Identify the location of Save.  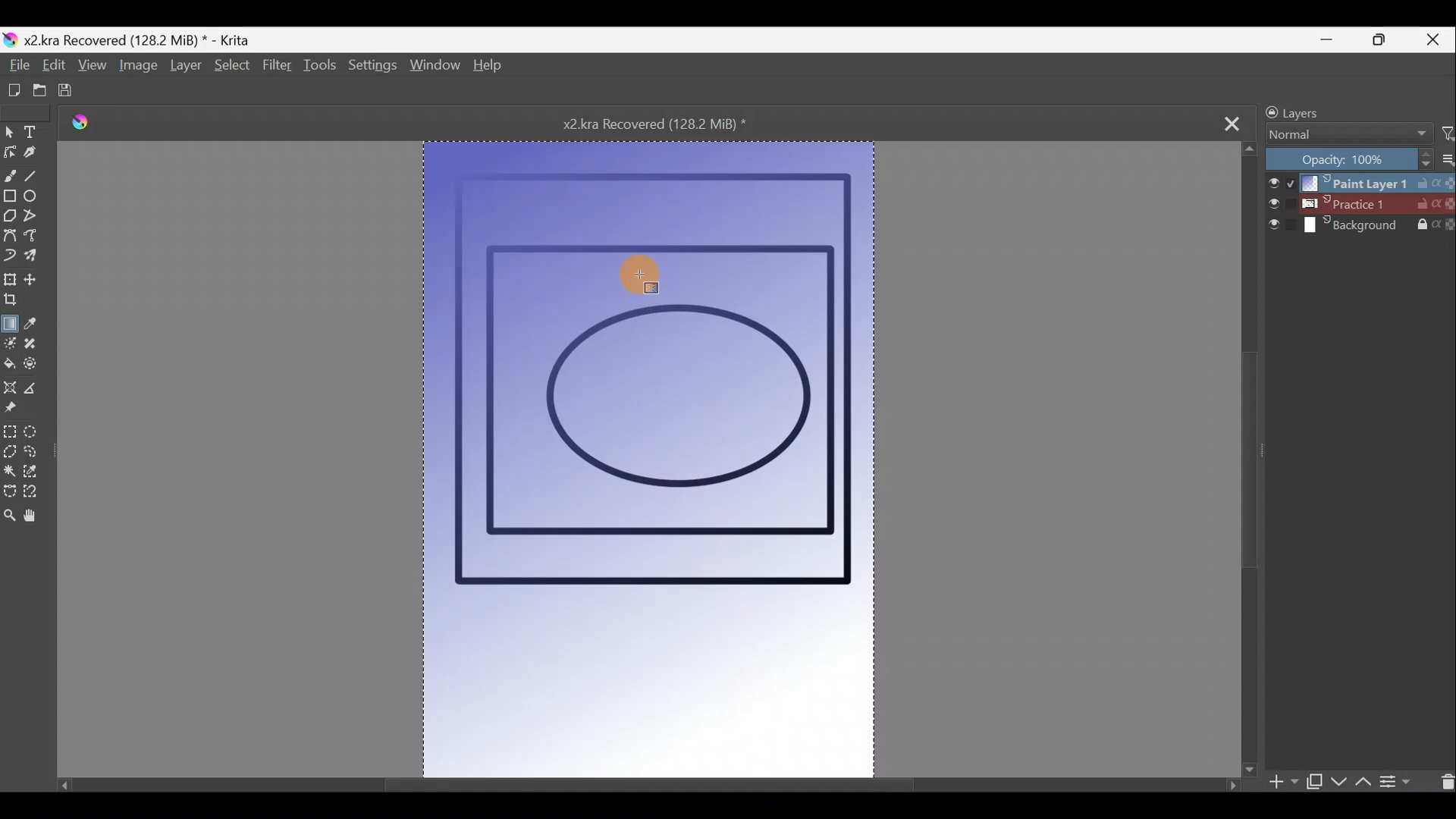
(72, 92).